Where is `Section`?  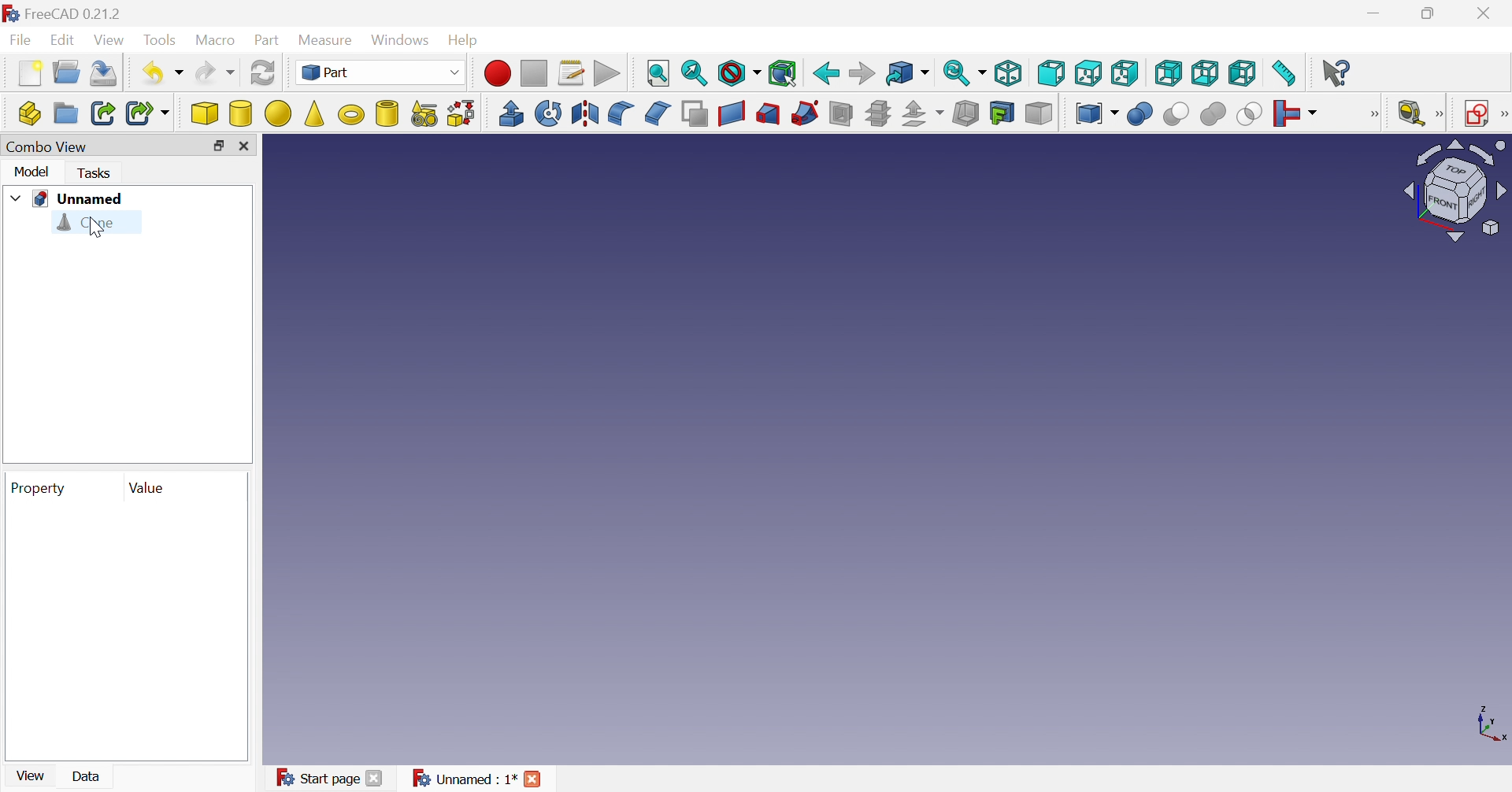 Section is located at coordinates (839, 113).